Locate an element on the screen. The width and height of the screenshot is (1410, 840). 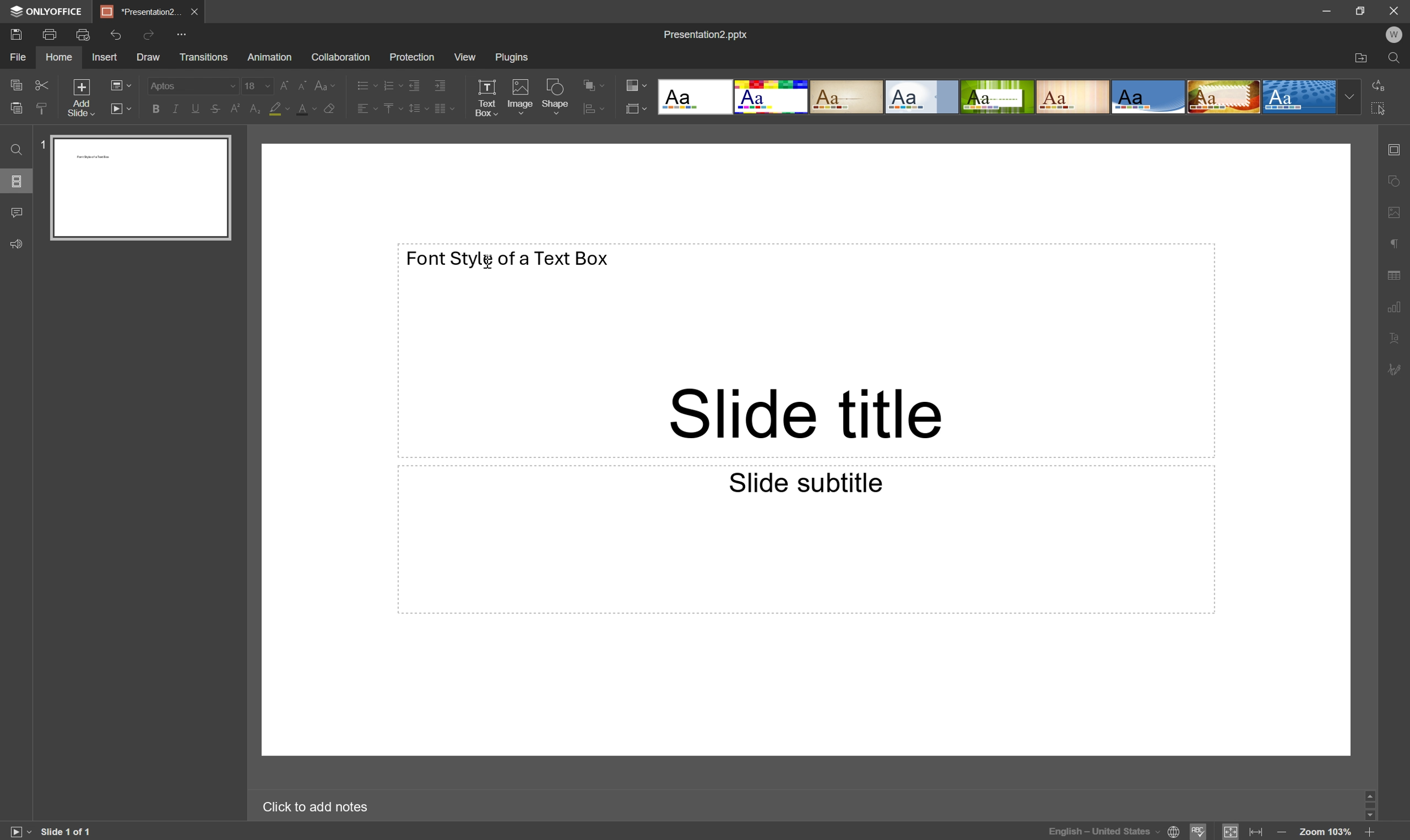
Presentation2.pptx is located at coordinates (707, 34).